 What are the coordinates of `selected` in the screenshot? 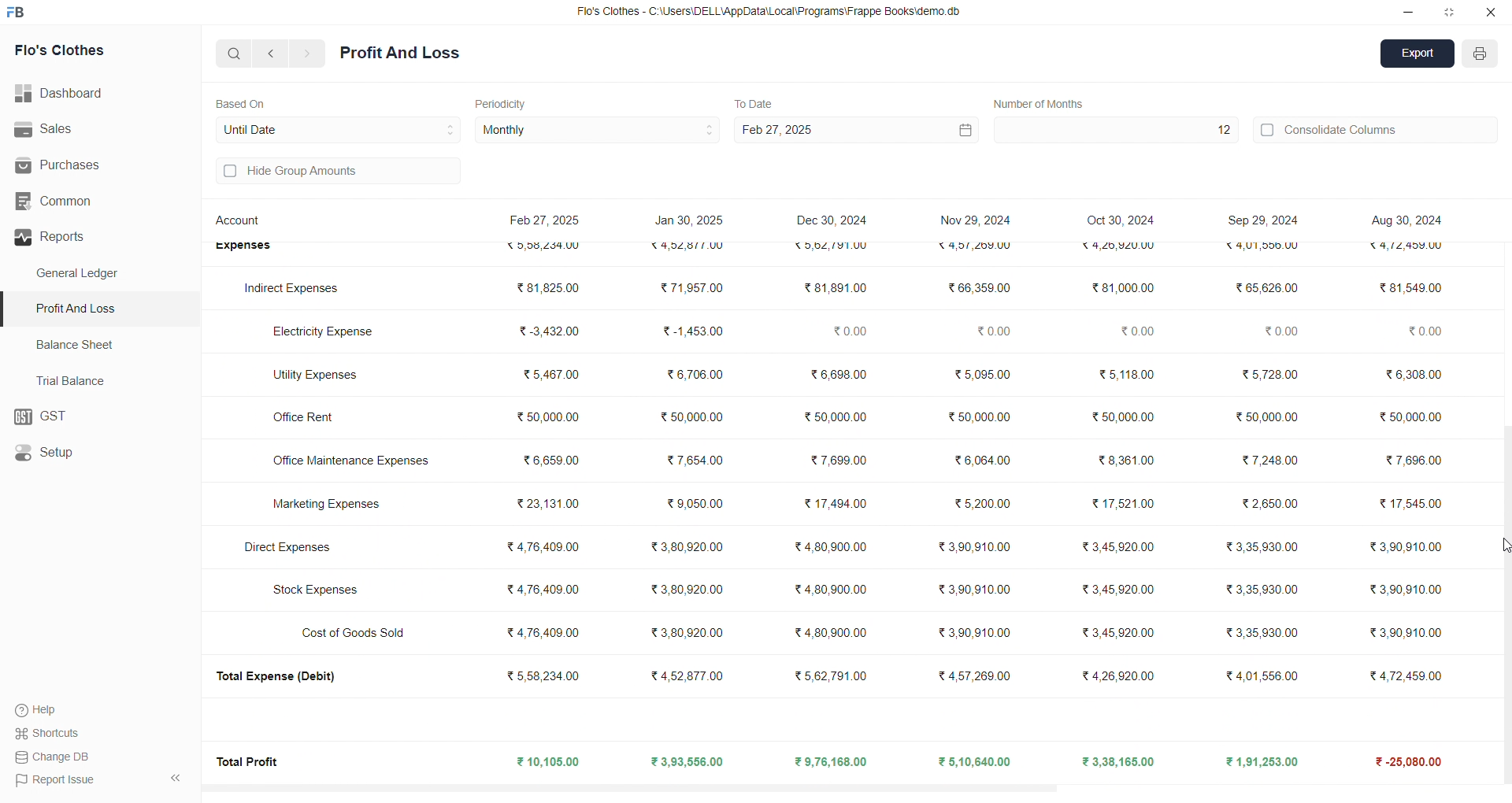 It's located at (9, 309).